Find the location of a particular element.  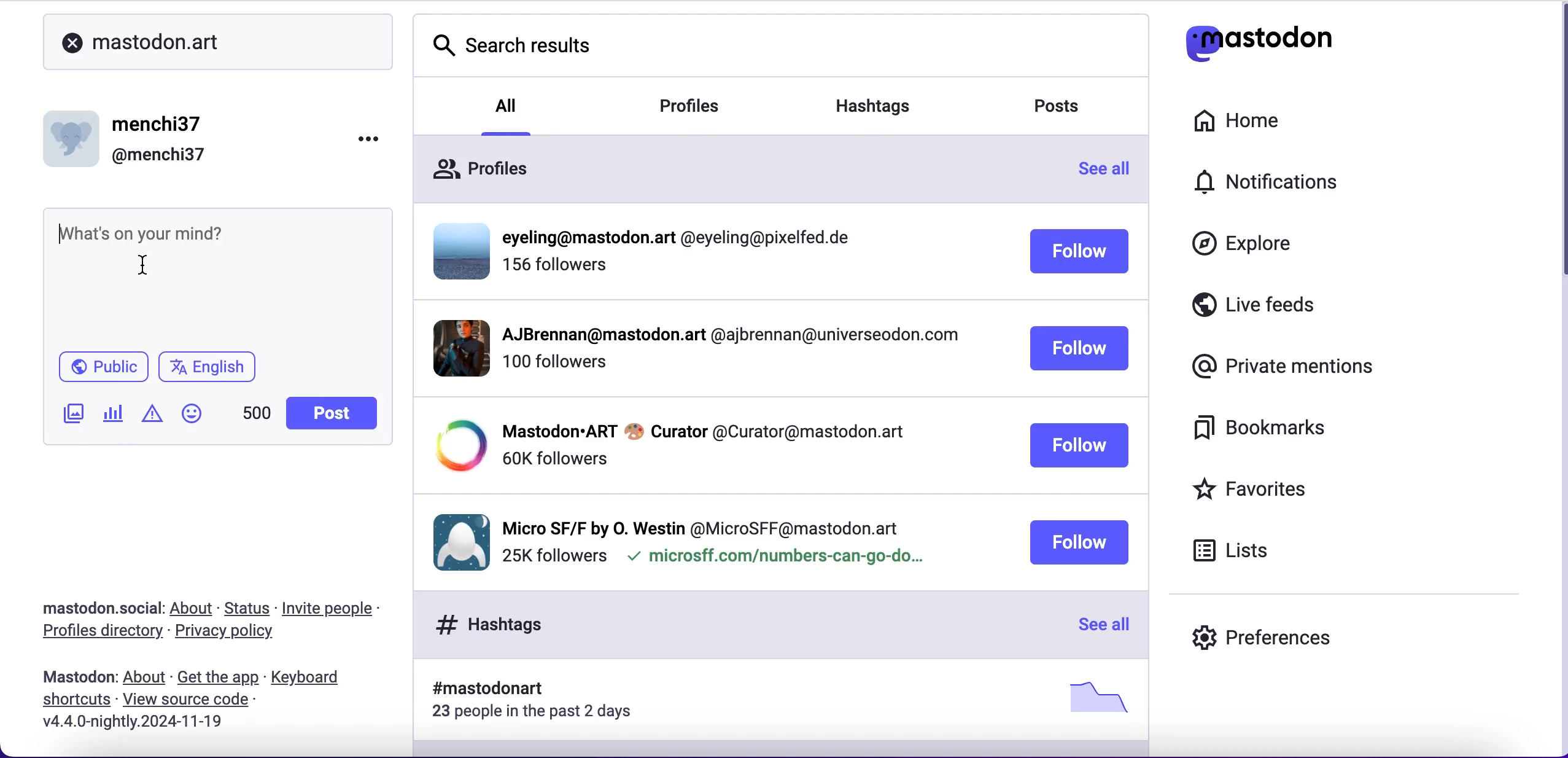

profile is located at coordinates (703, 430).